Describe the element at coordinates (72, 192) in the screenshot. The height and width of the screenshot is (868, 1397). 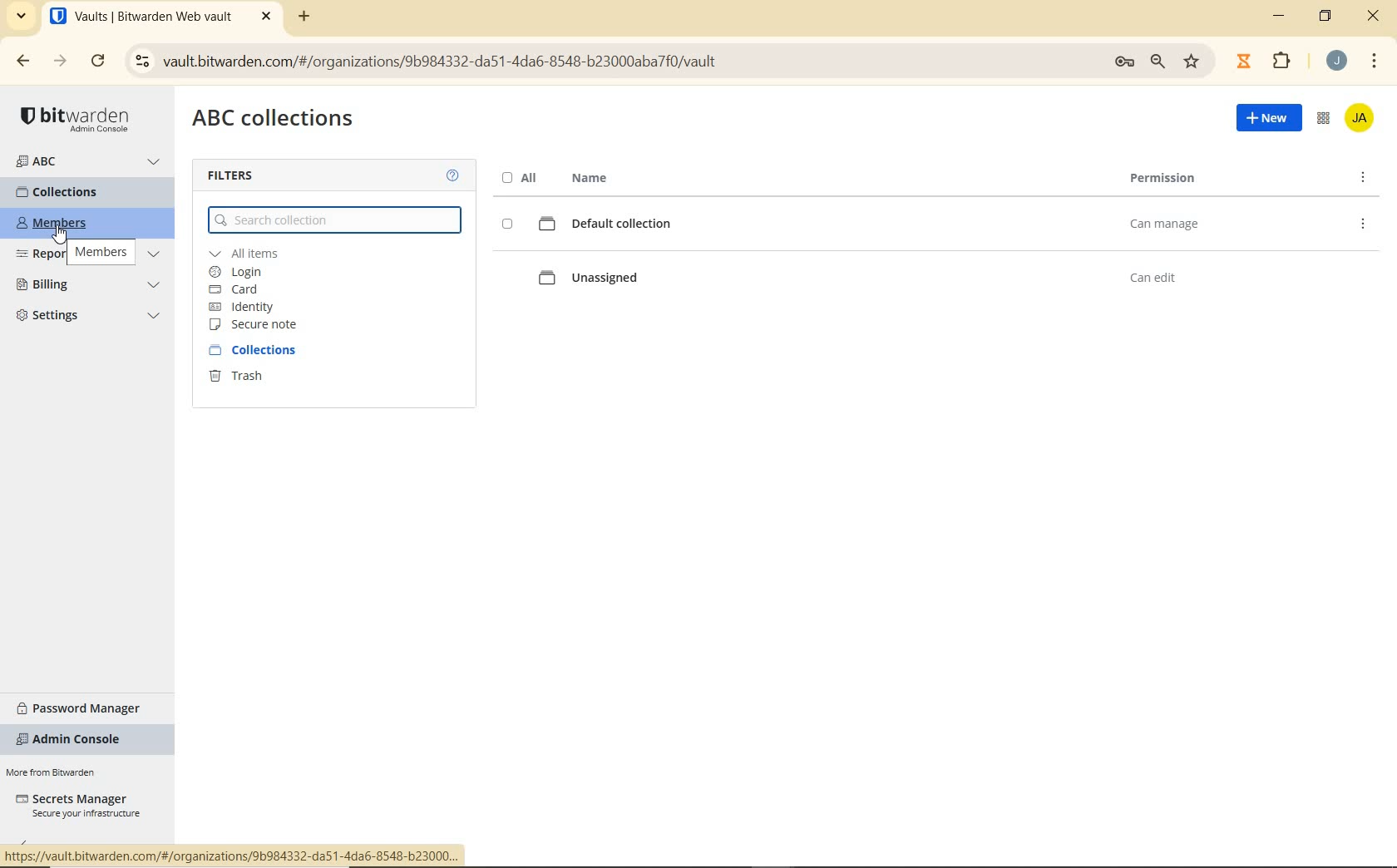
I see `COLLECTIONS` at that location.